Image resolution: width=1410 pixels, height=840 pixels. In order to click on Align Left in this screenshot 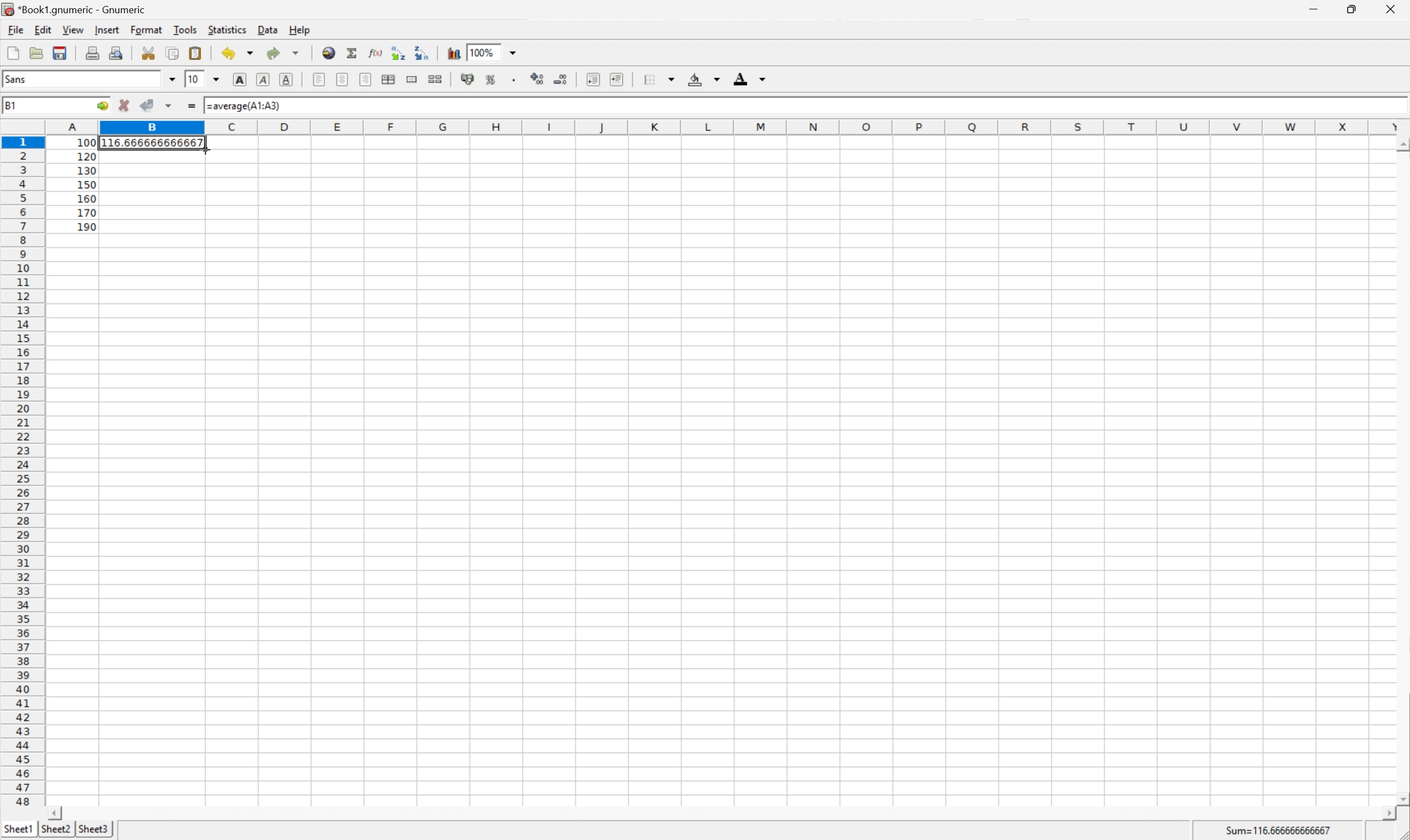, I will do `click(318, 79)`.